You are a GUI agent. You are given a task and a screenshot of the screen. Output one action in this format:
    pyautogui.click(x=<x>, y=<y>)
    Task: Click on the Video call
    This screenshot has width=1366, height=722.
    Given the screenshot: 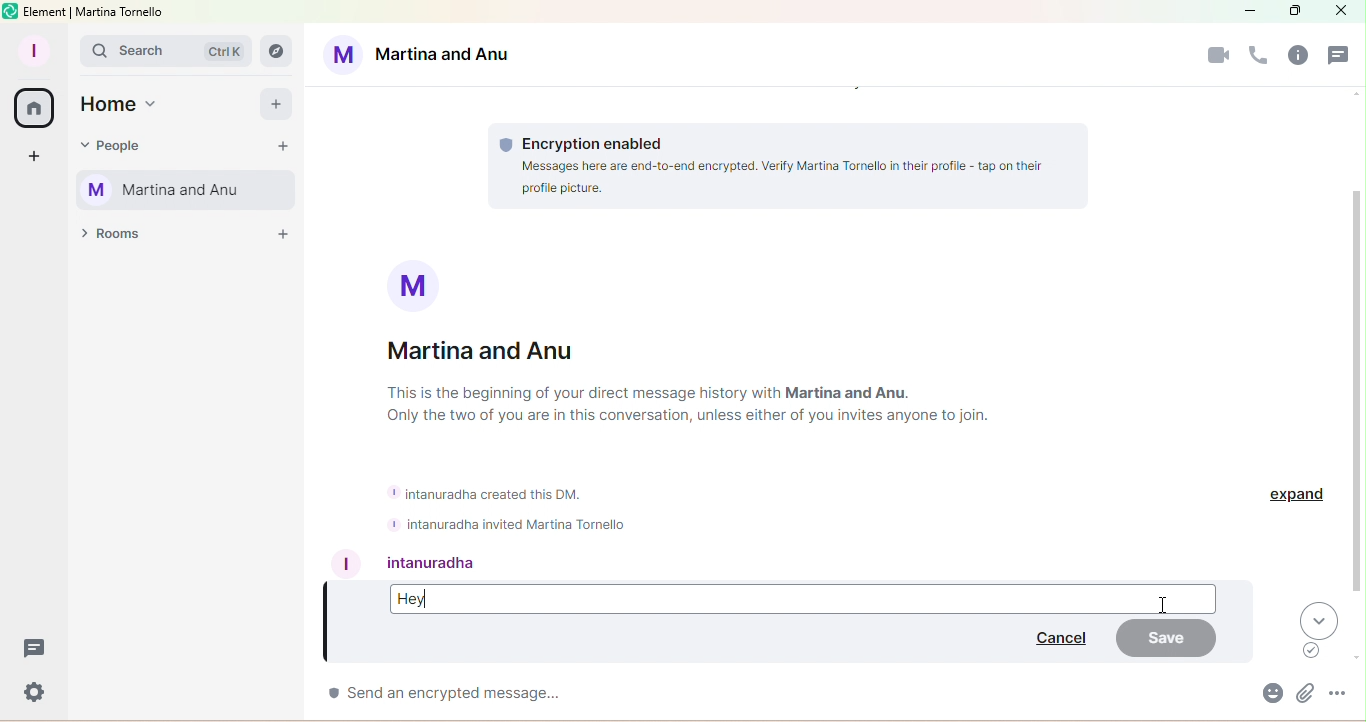 What is the action you would take?
    pyautogui.click(x=1217, y=58)
    